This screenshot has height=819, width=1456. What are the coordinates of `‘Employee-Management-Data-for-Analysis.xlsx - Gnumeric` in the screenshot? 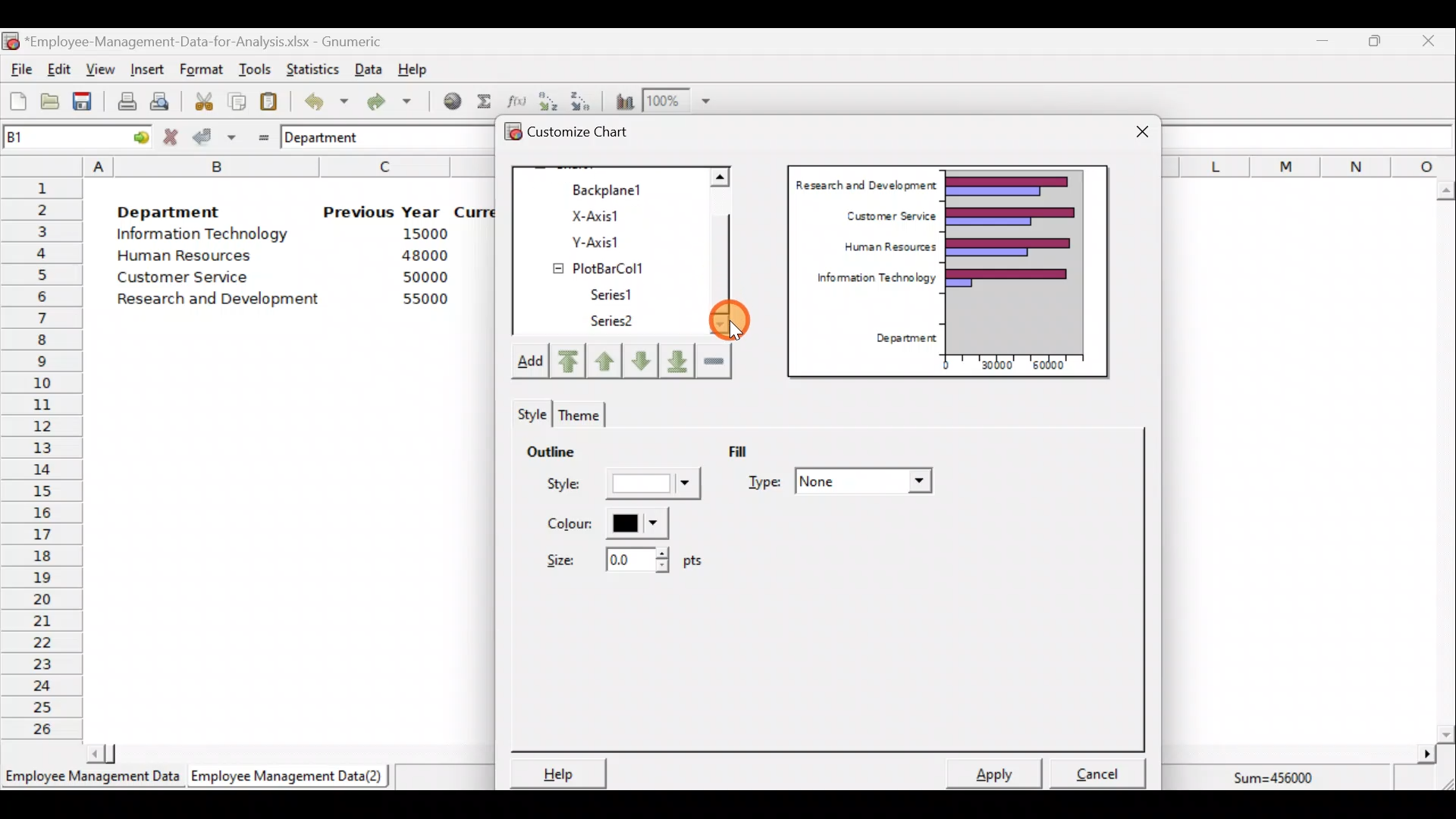 It's located at (208, 40).